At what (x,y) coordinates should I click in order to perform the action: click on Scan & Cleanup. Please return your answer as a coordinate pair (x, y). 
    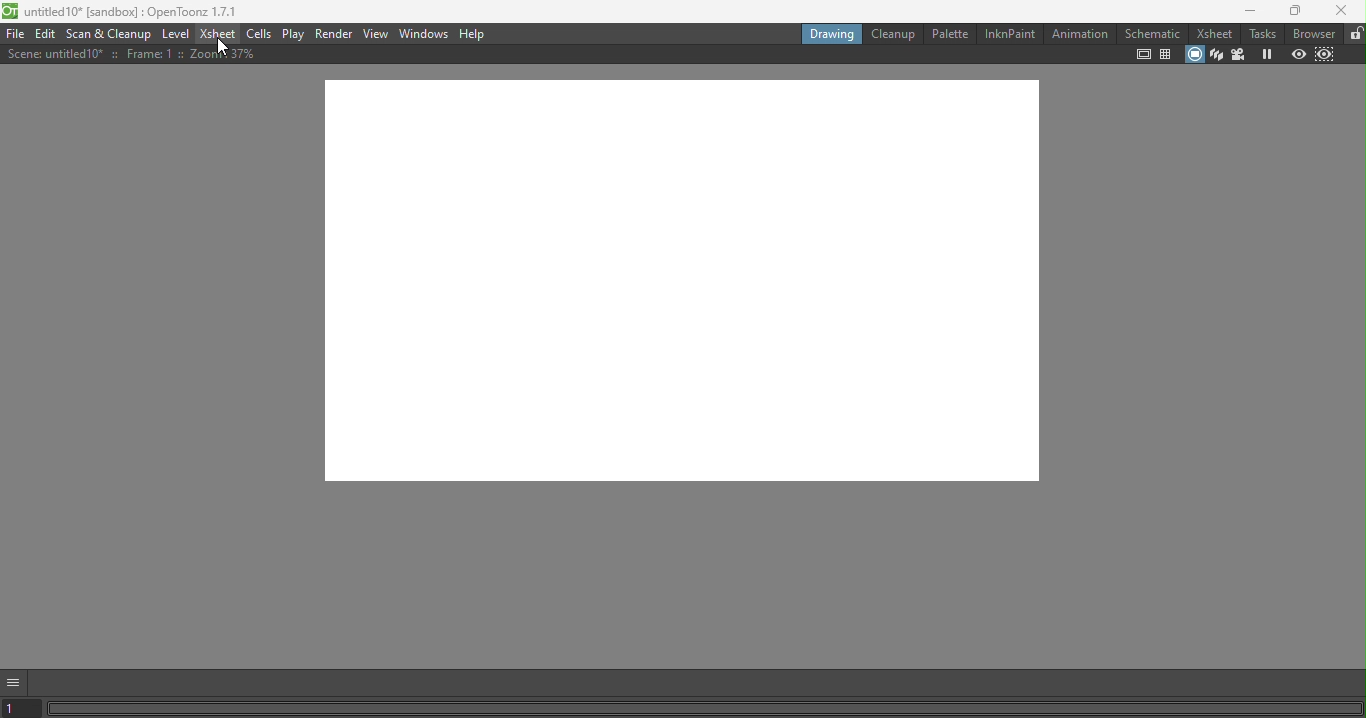
    Looking at the image, I should click on (113, 34).